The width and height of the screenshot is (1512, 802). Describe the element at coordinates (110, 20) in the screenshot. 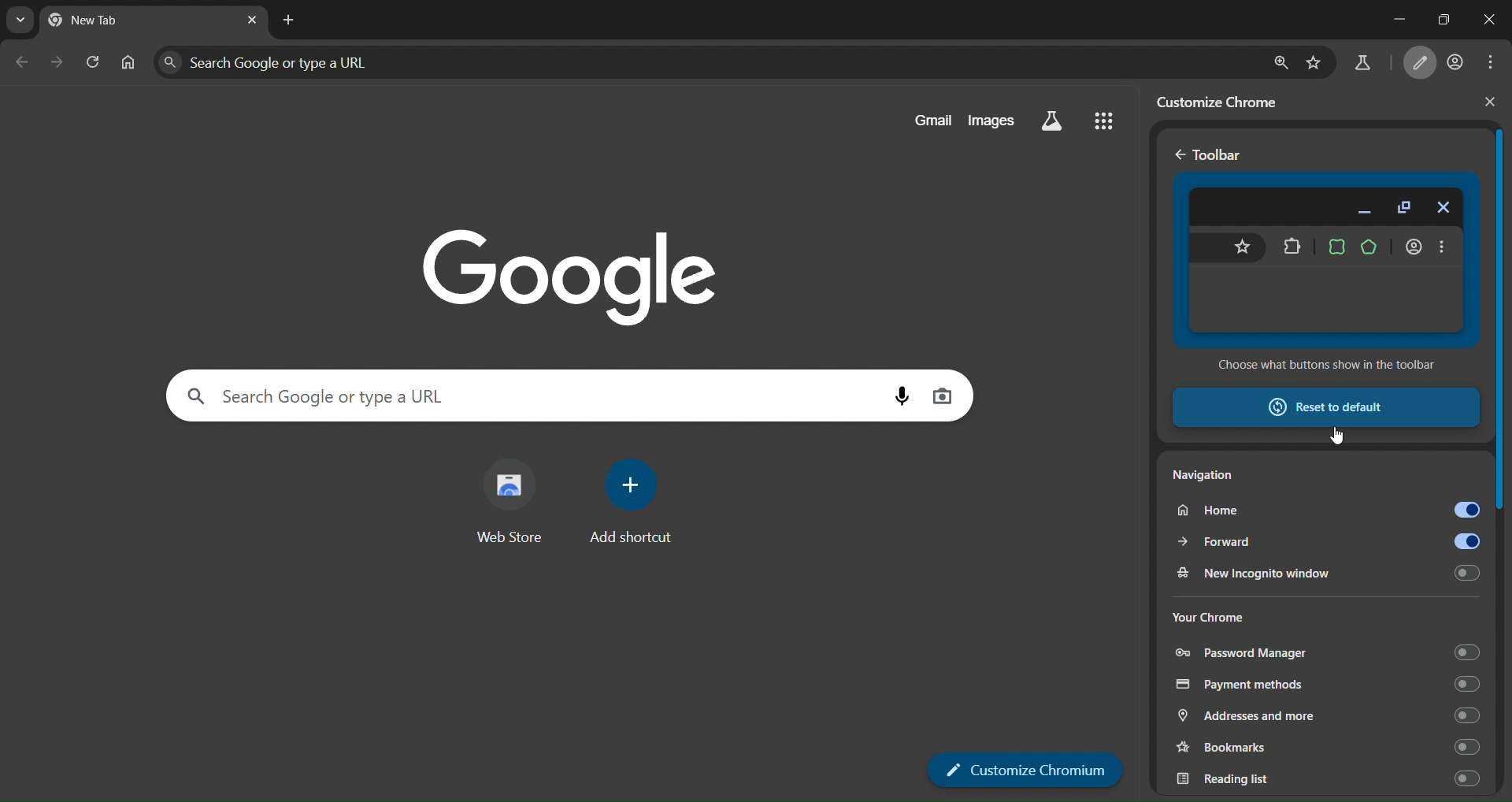

I see `currrent page` at that location.